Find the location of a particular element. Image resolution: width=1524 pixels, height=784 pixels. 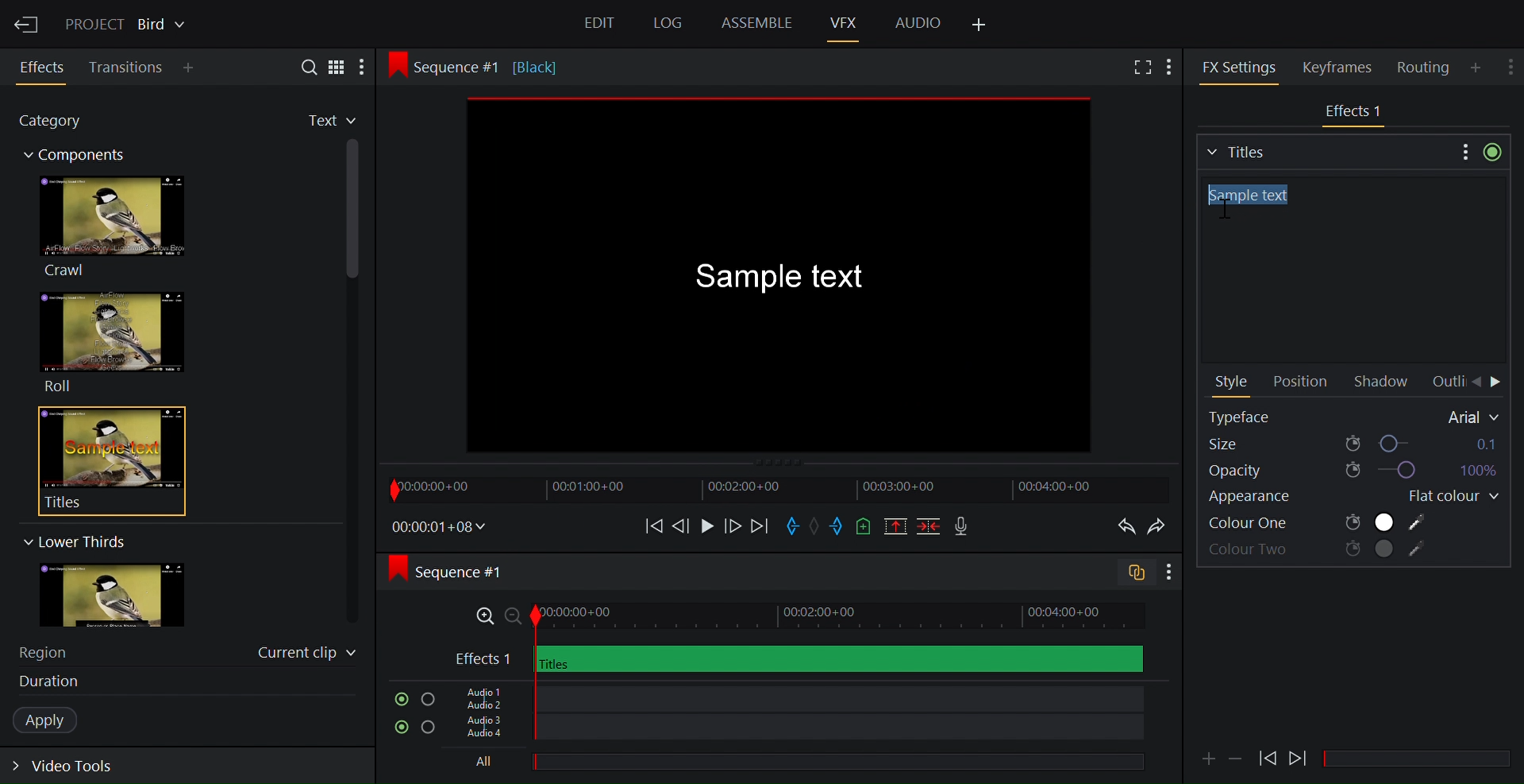

Nudge one frame forward is located at coordinates (731, 525).